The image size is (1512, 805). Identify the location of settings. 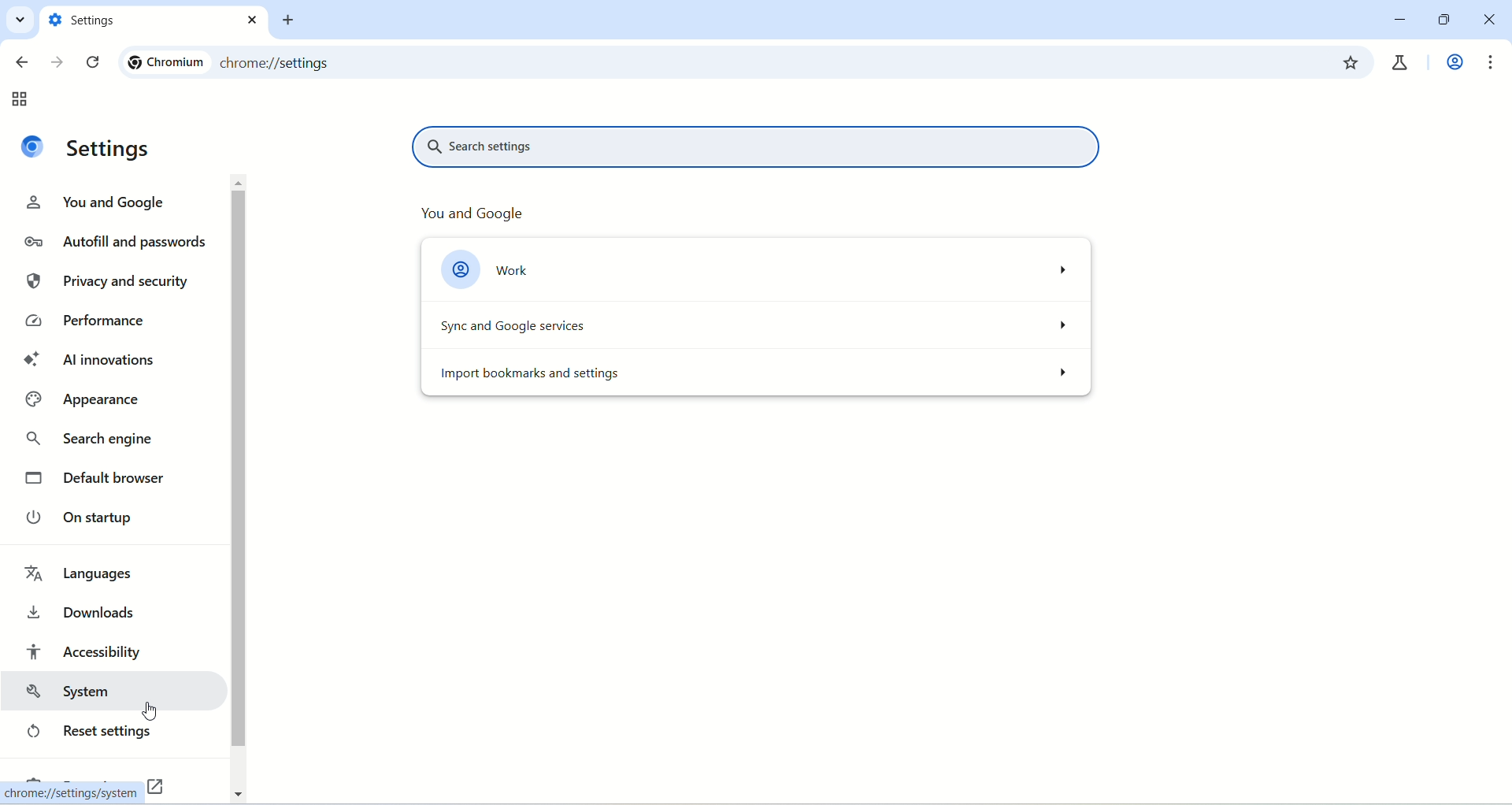
(110, 149).